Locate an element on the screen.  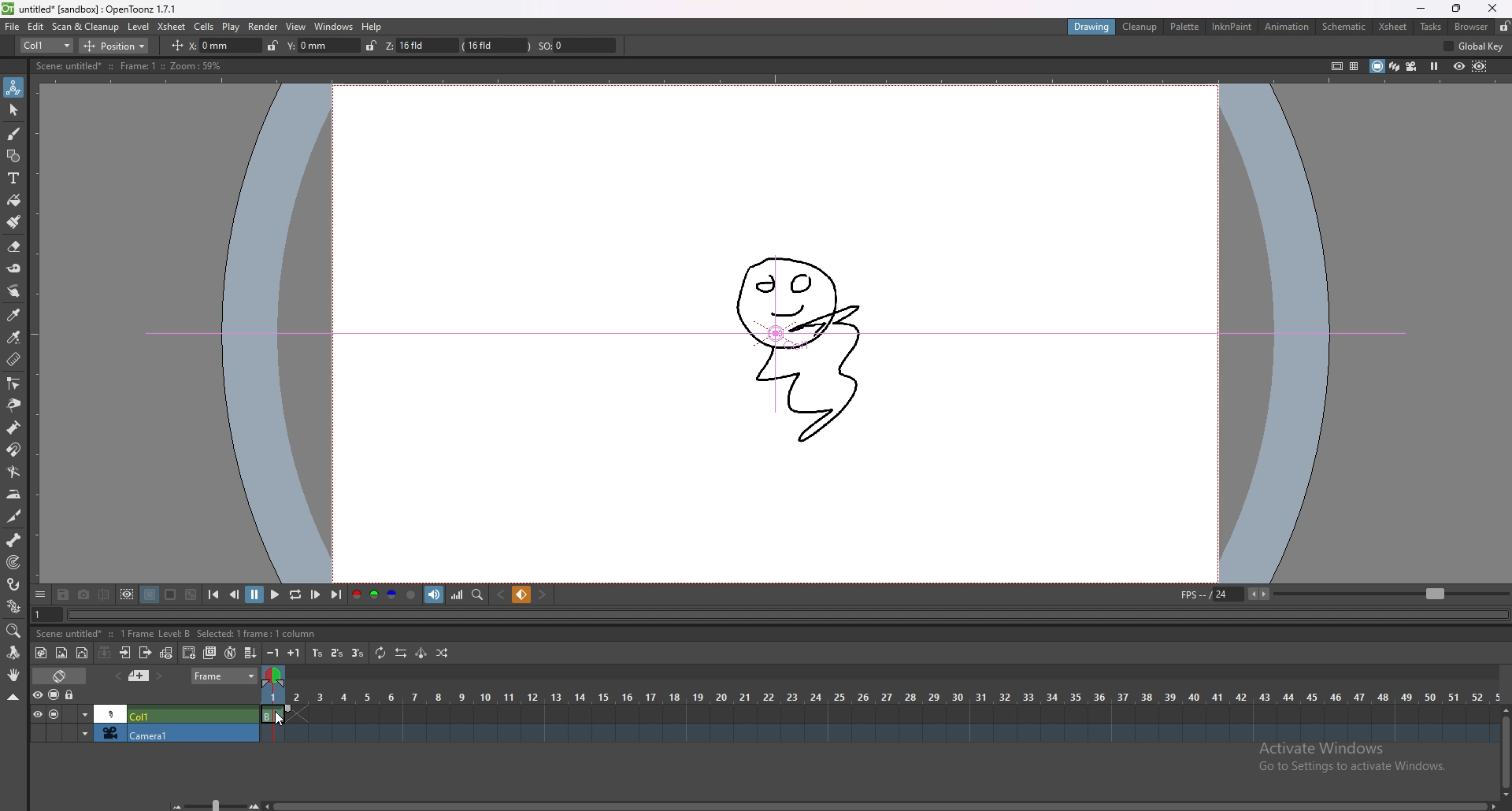
sub camera preview is located at coordinates (1480, 67).